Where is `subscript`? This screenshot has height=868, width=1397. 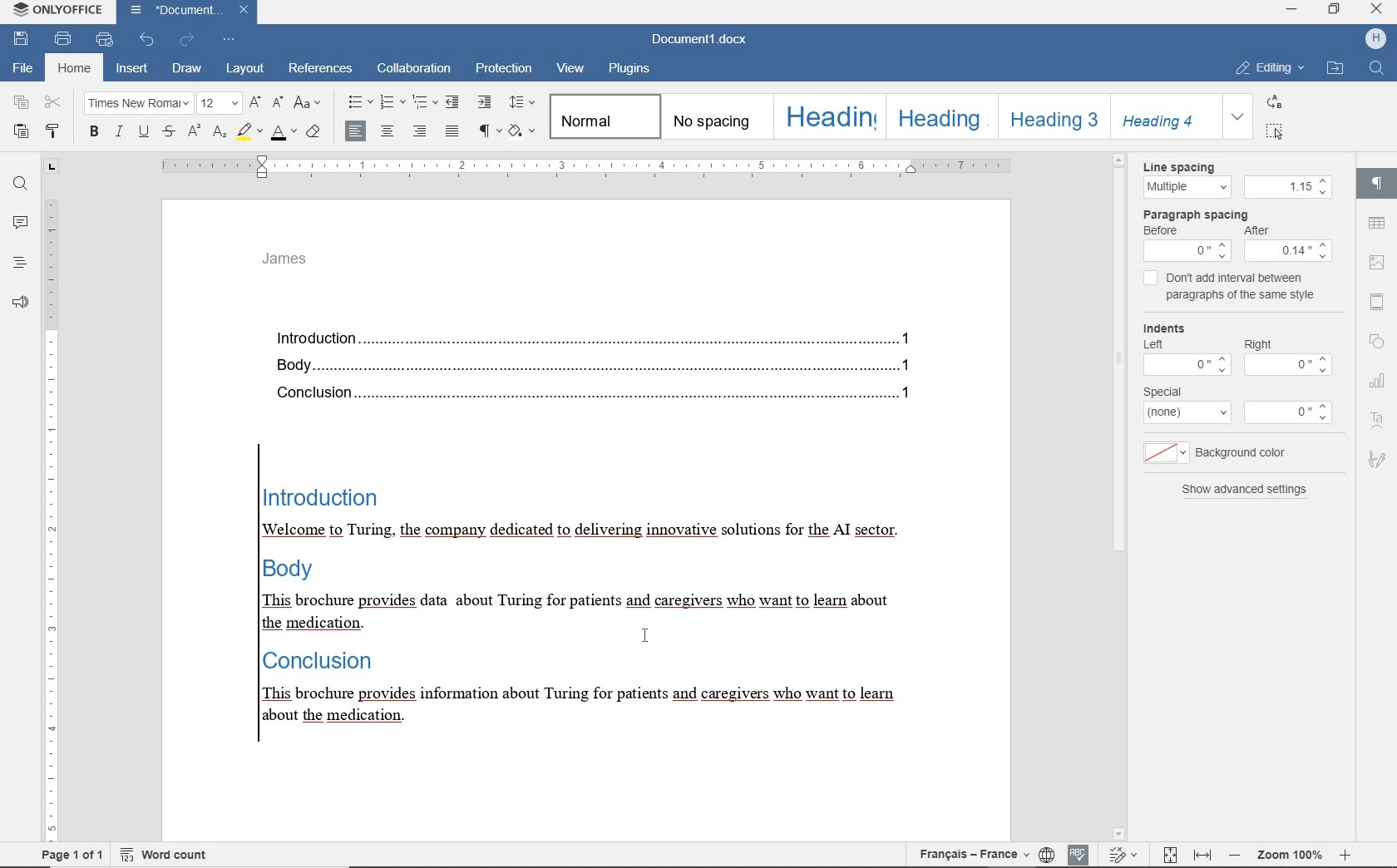
subscript is located at coordinates (220, 134).